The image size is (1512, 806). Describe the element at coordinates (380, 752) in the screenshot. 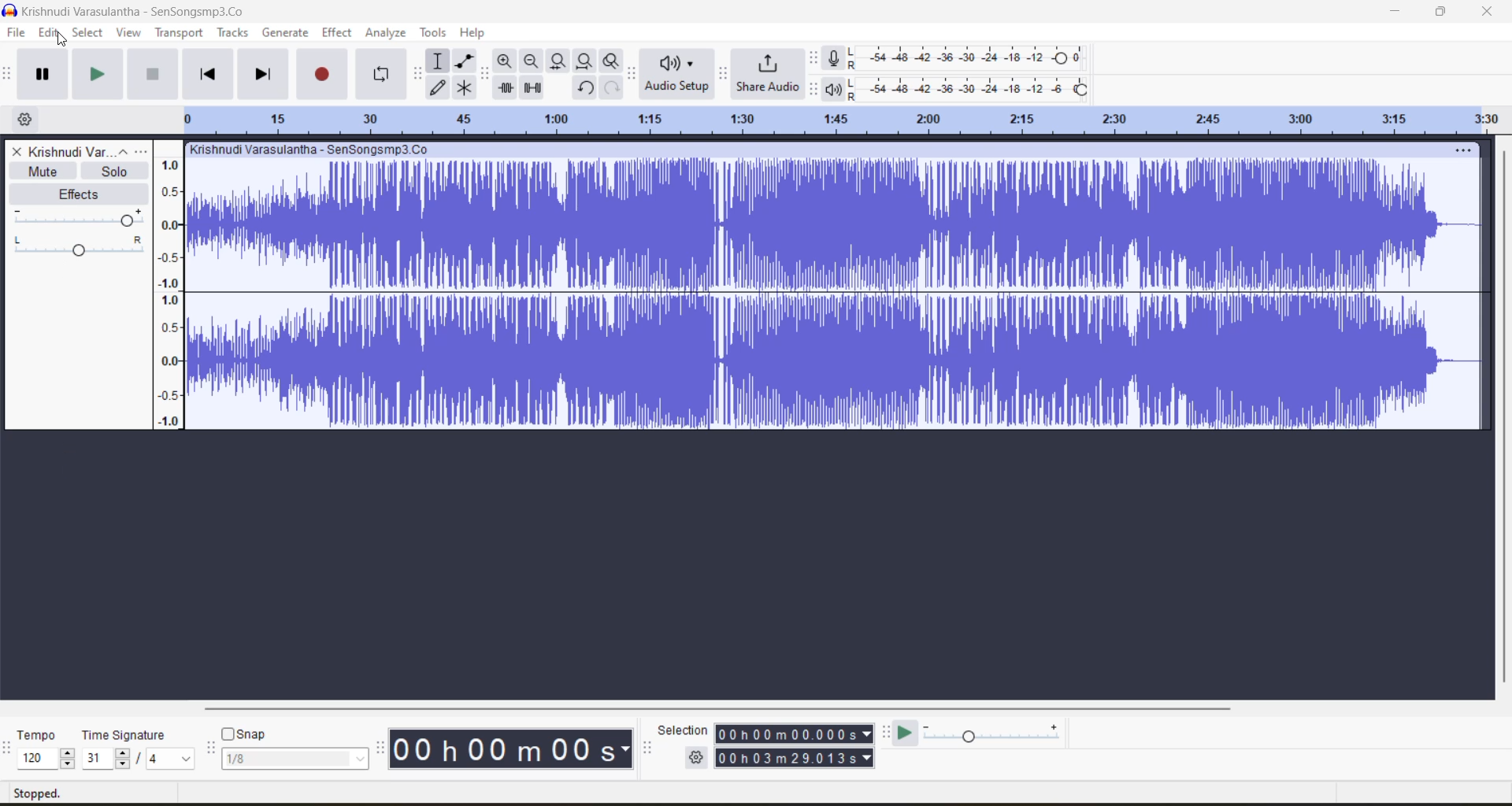

I see `time toolbar` at that location.